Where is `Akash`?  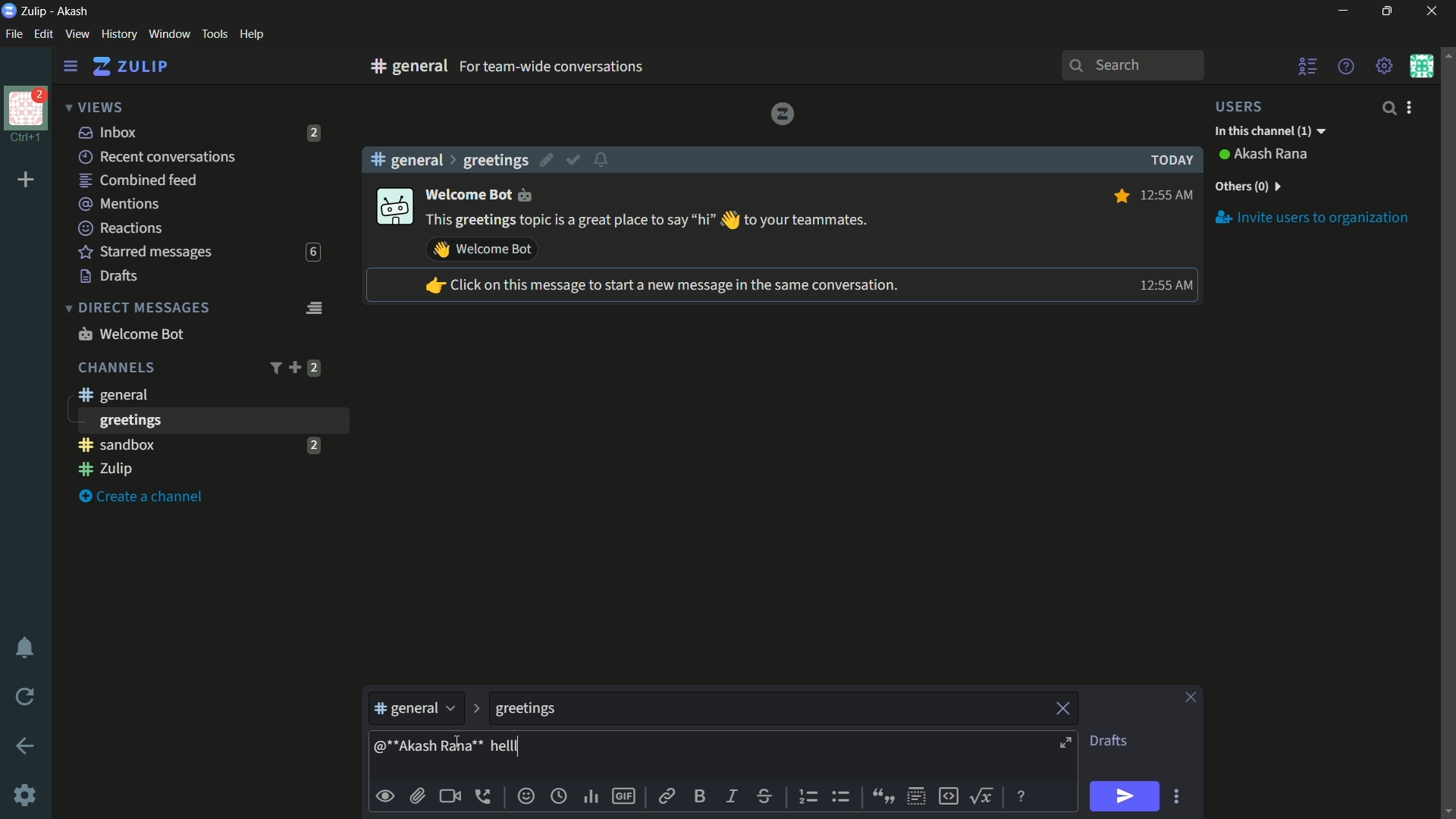 Akash is located at coordinates (74, 12).